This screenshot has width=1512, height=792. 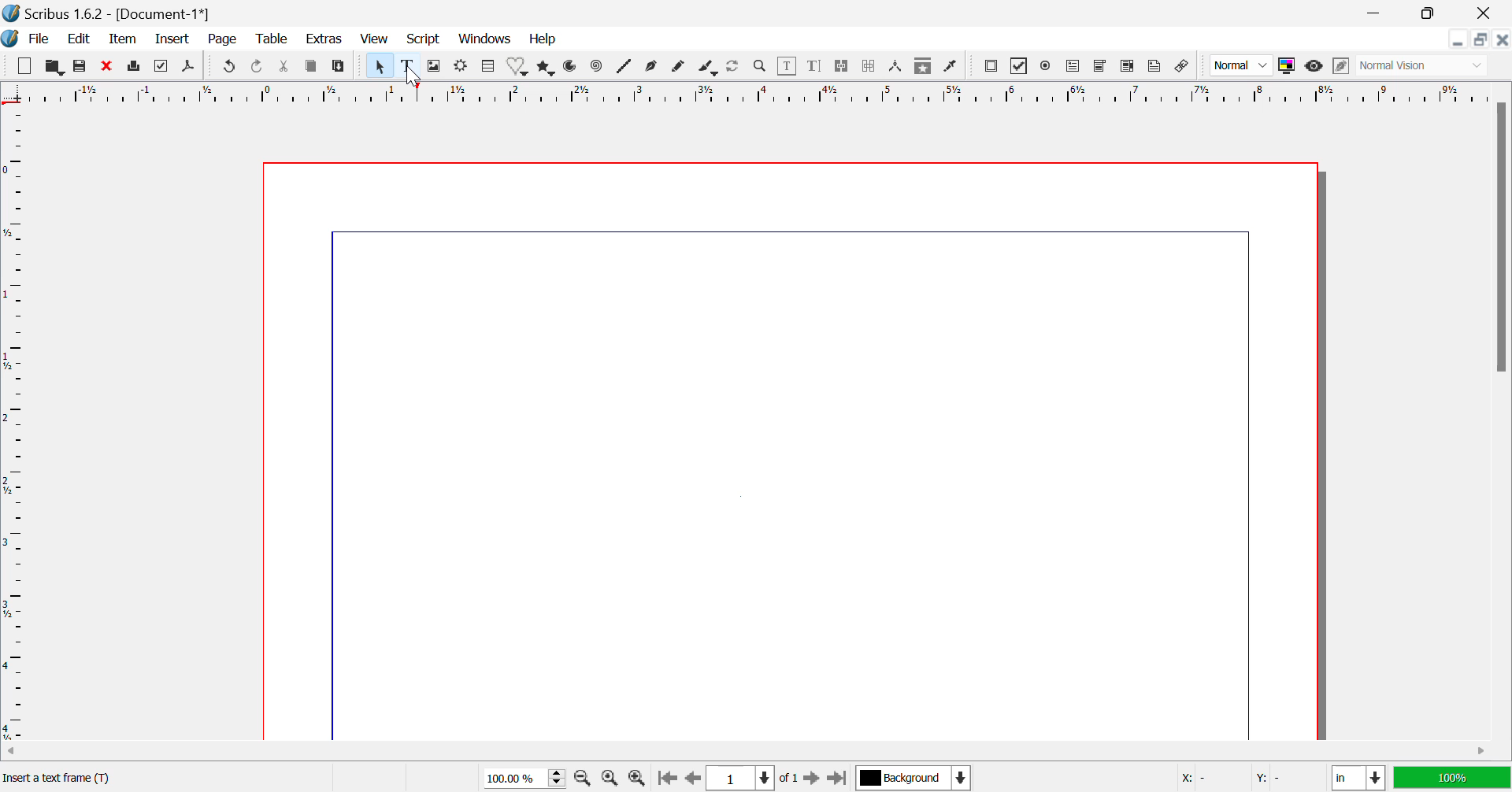 I want to click on Eyedropper, so click(x=953, y=65).